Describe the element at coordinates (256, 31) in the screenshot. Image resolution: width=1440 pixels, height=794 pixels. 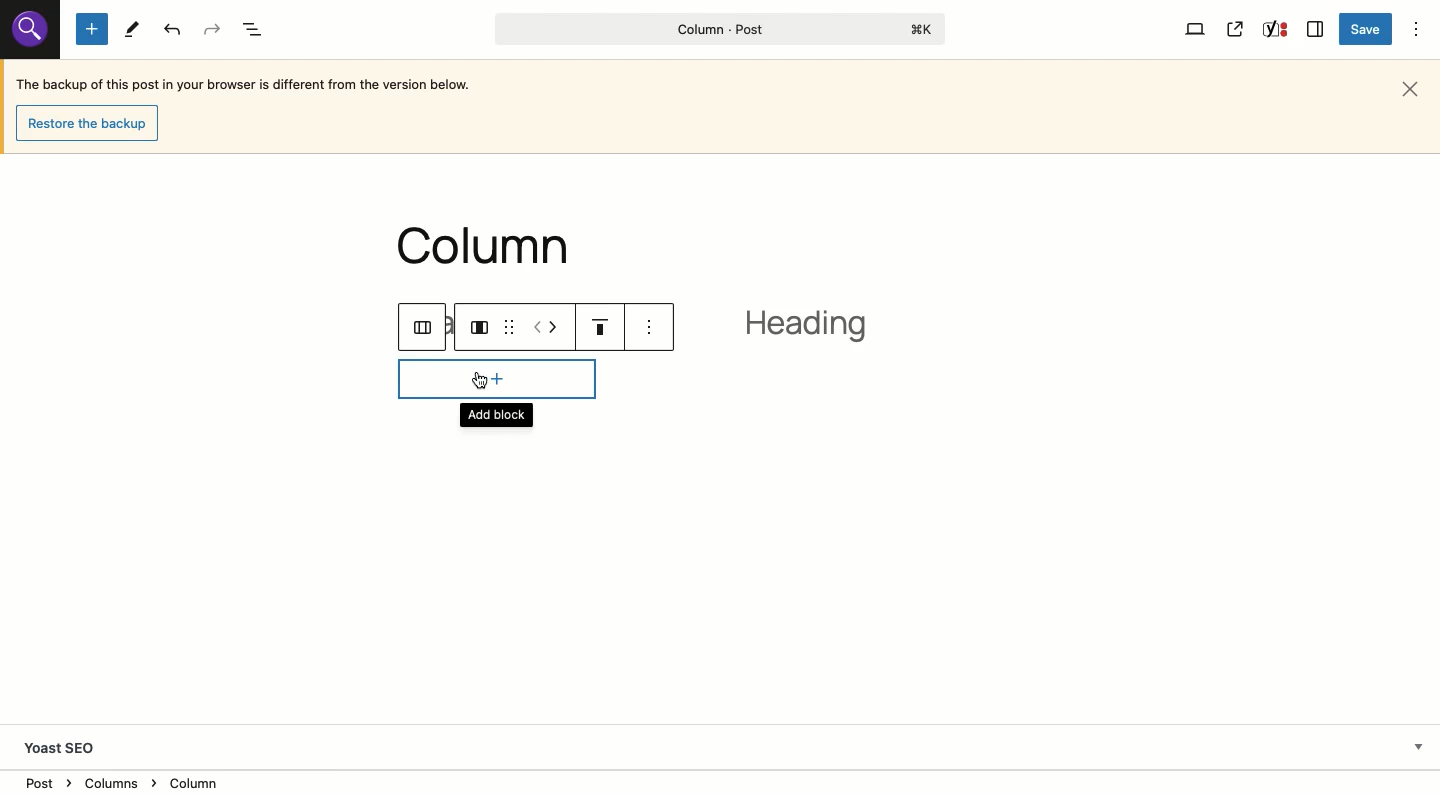
I see `Document overview` at that location.